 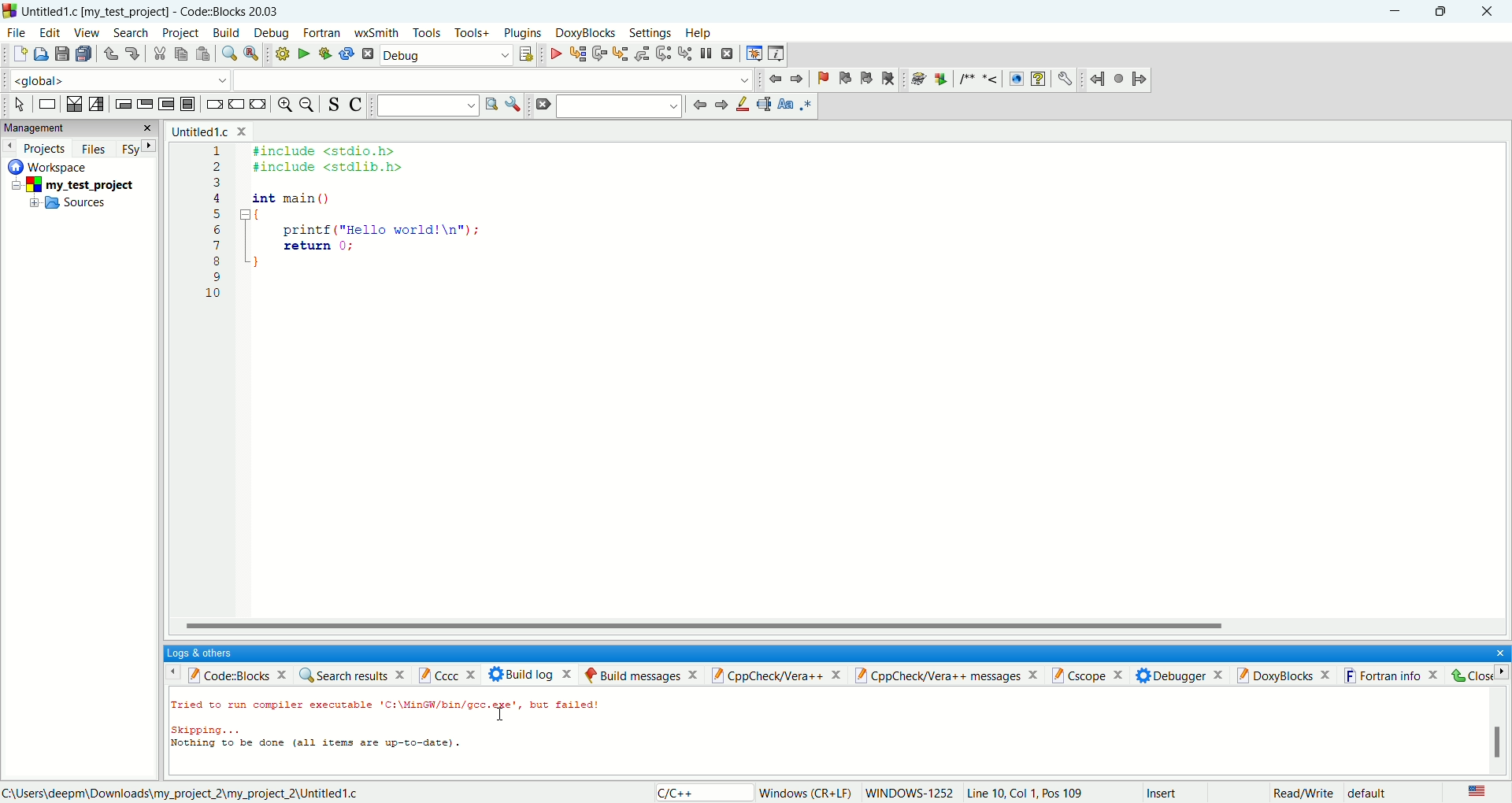 What do you see at coordinates (250, 54) in the screenshot?
I see `replace` at bounding box center [250, 54].